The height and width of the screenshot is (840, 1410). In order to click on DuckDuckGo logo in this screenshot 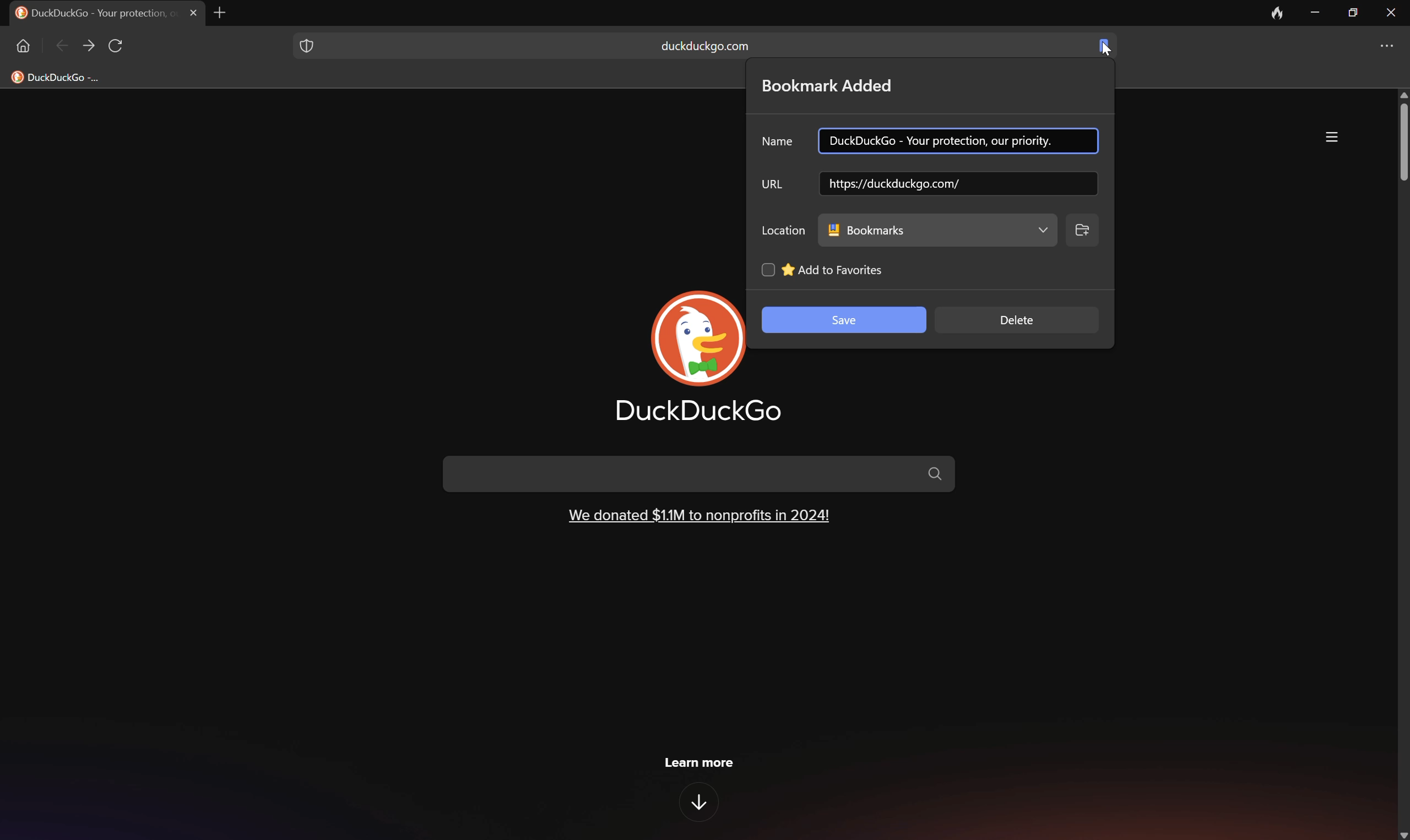, I will do `click(700, 338)`.